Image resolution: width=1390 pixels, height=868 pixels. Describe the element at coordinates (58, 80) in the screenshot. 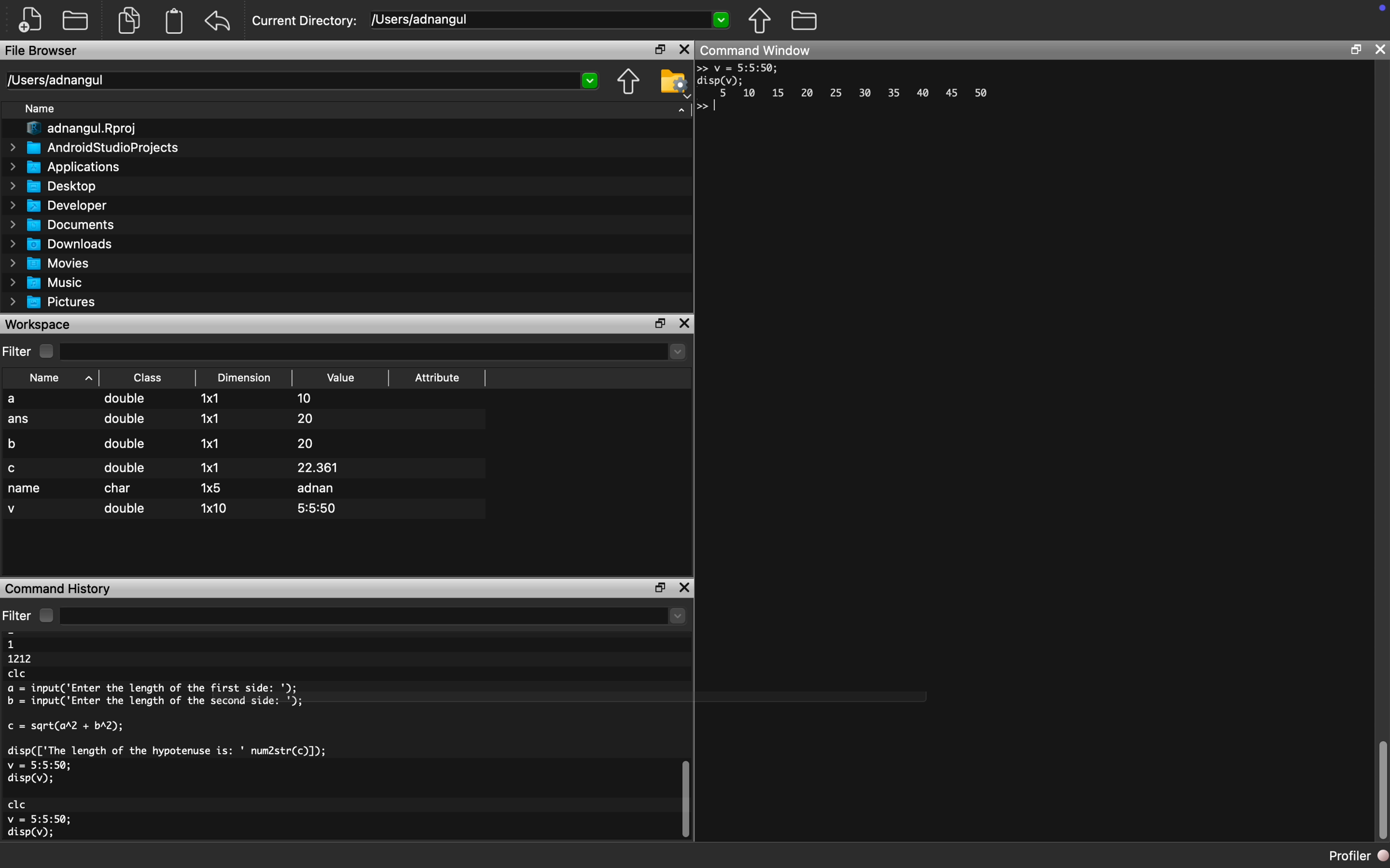

I see `/Users/adnangul` at that location.